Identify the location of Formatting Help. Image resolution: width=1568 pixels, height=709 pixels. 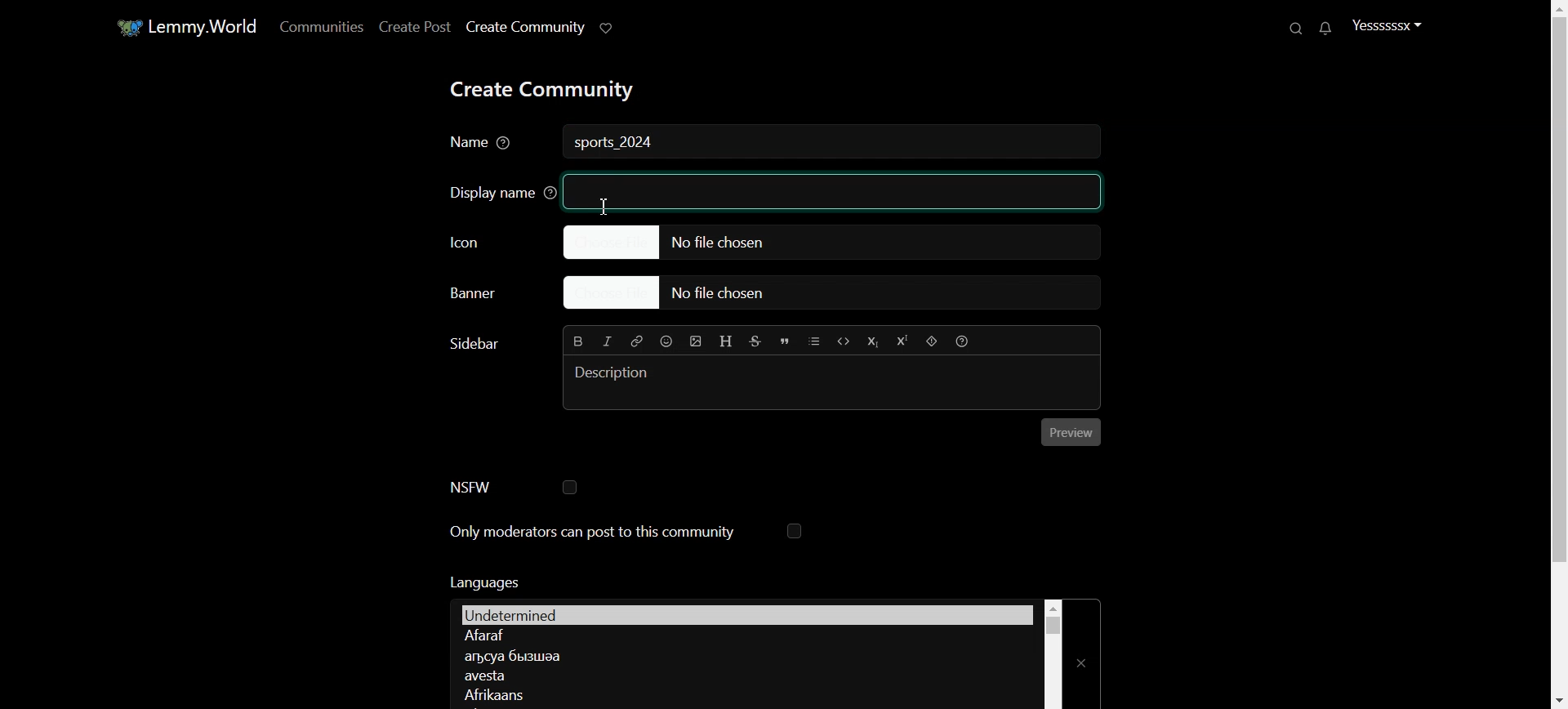
(961, 341).